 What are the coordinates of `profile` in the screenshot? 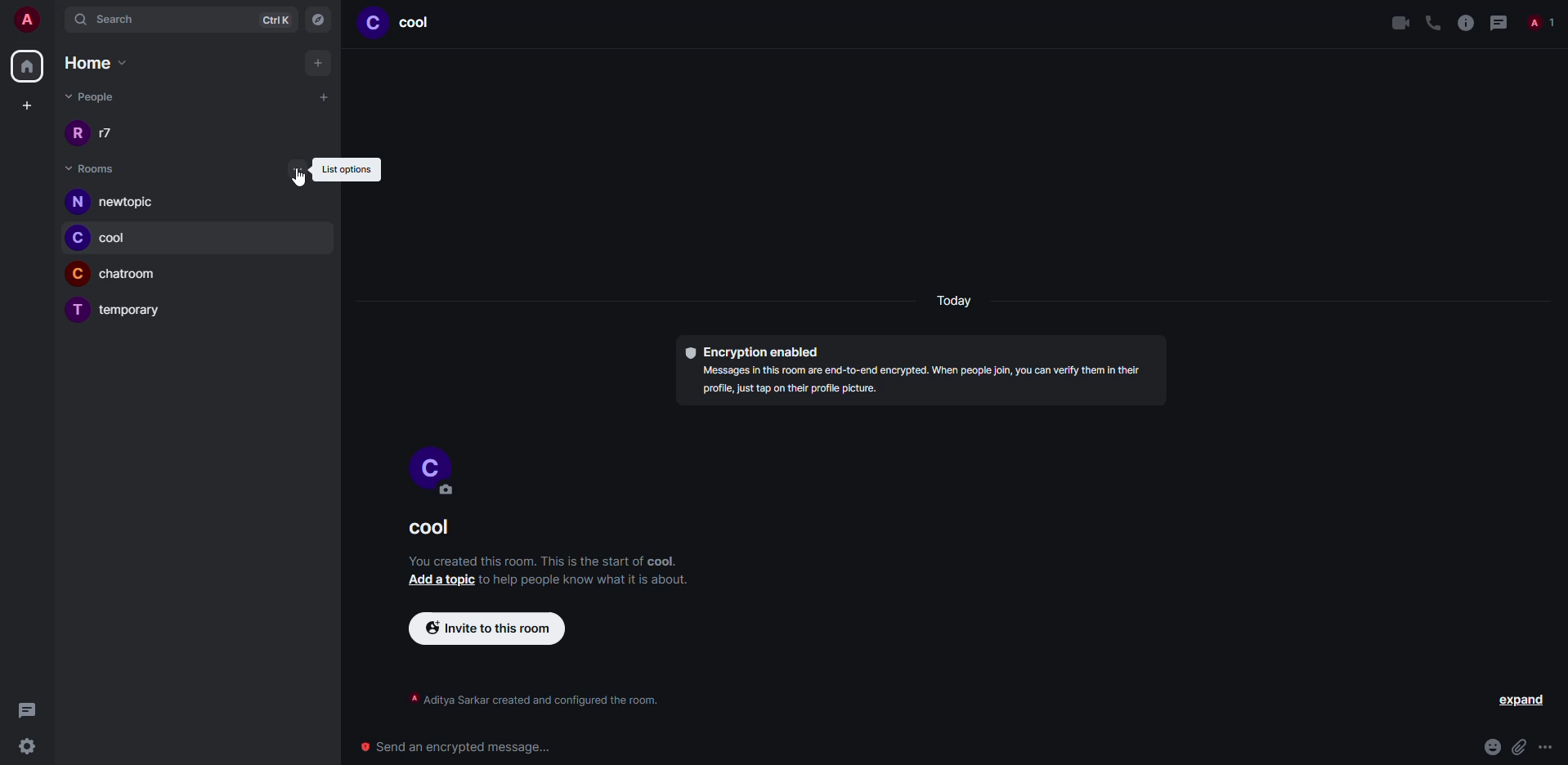 It's located at (76, 202).